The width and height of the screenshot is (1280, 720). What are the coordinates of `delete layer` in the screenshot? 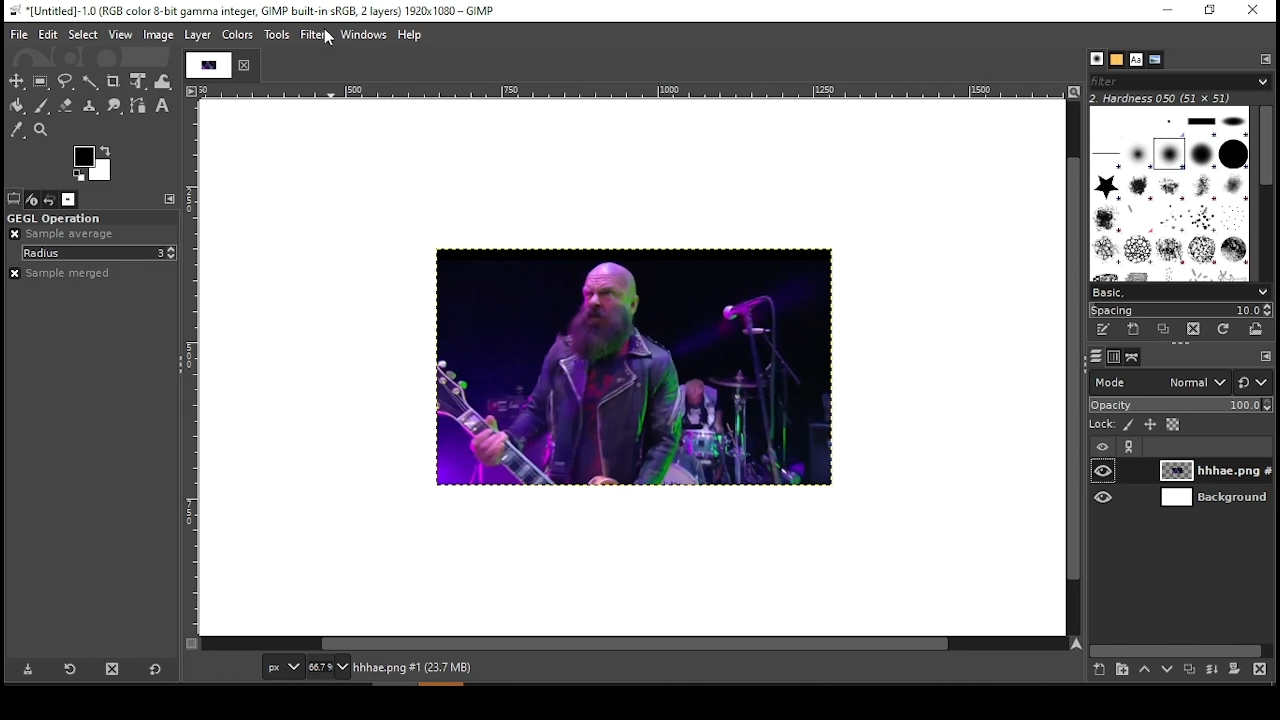 It's located at (1263, 670).